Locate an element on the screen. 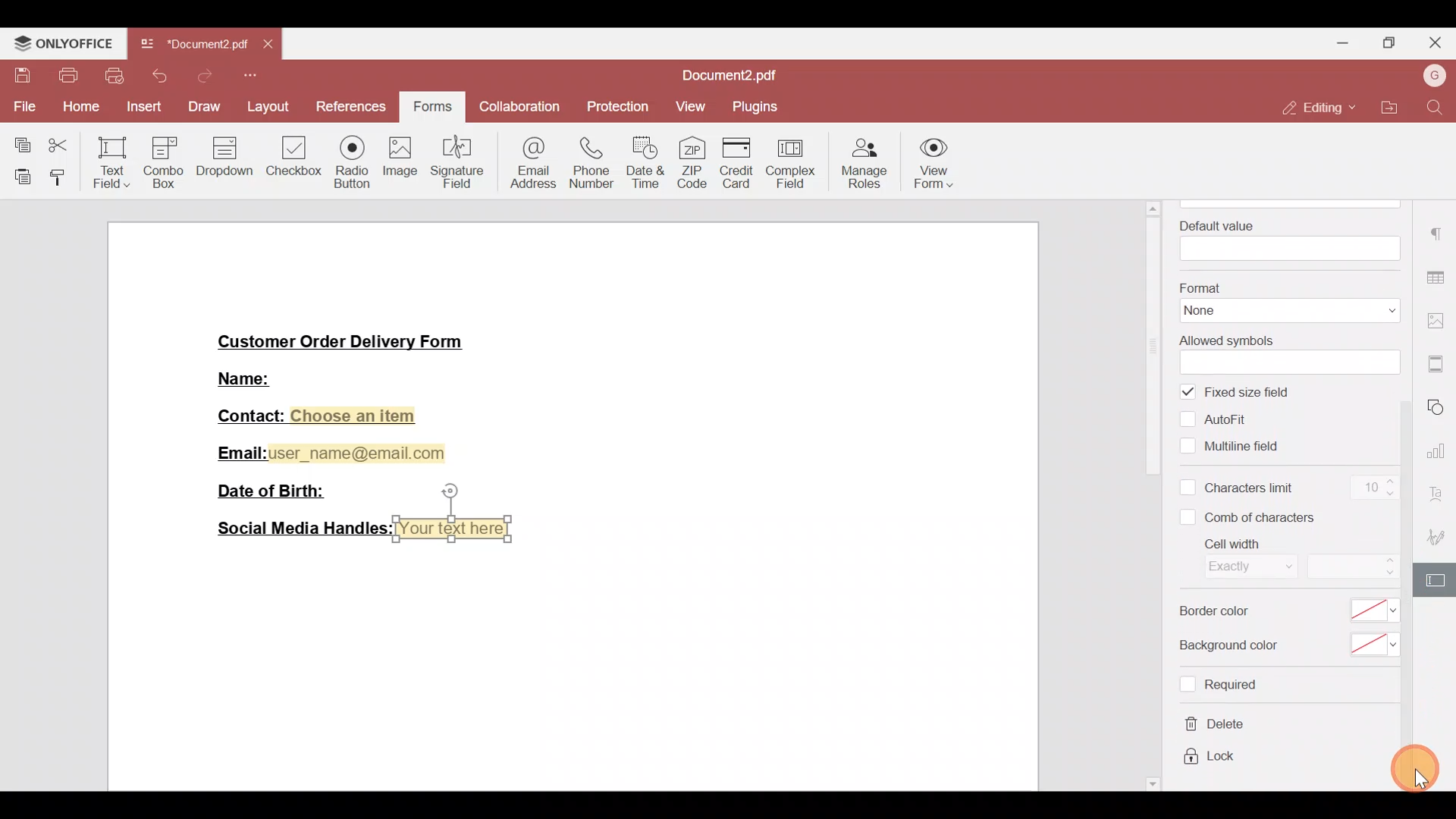 The width and height of the screenshot is (1456, 819). Contact: Choose an item is located at coordinates (315, 416).